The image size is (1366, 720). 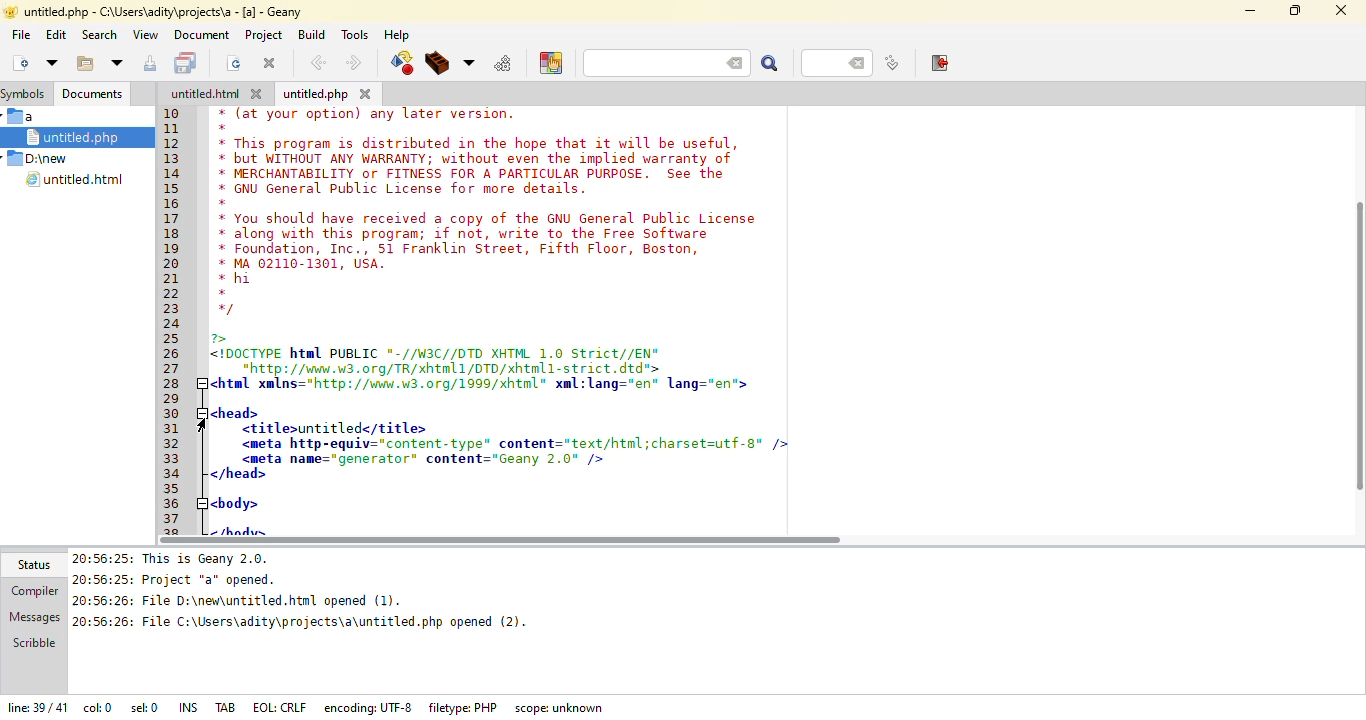 I want to click on close, so click(x=271, y=62).